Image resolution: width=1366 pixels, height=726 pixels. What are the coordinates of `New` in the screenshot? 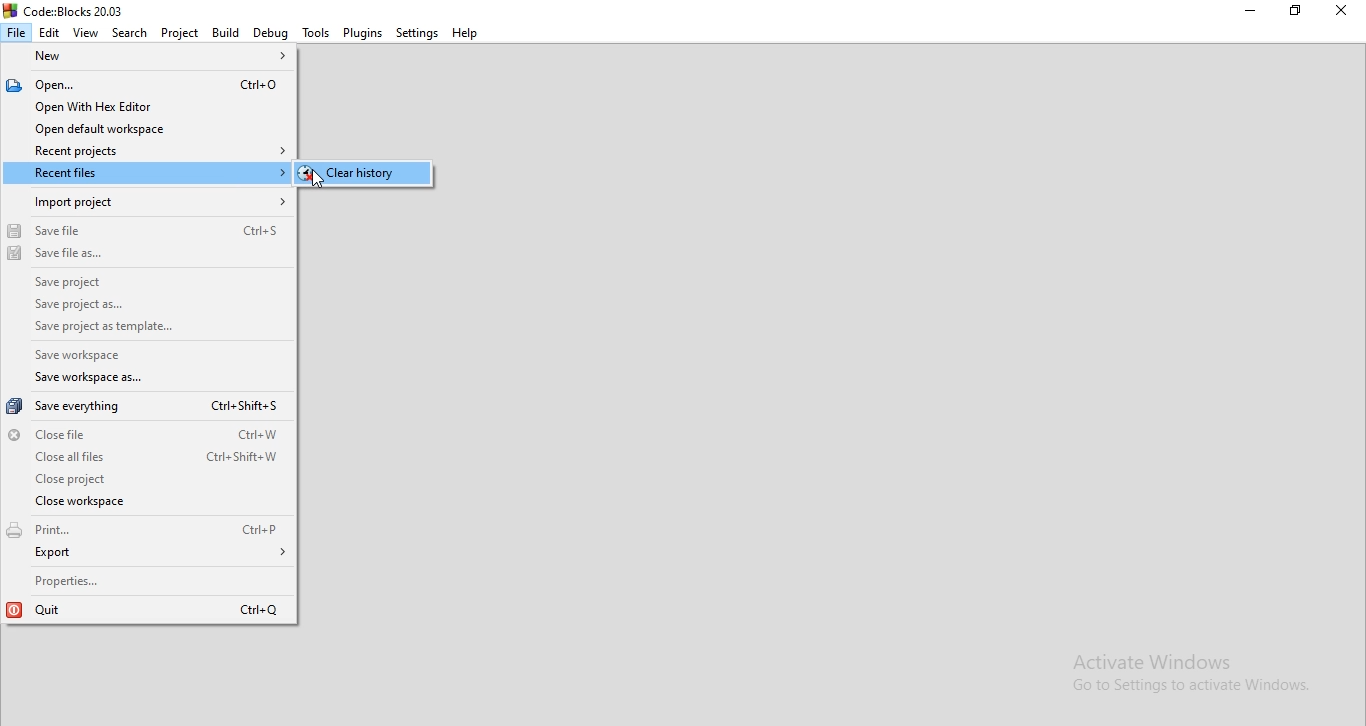 It's located at (151, 58).